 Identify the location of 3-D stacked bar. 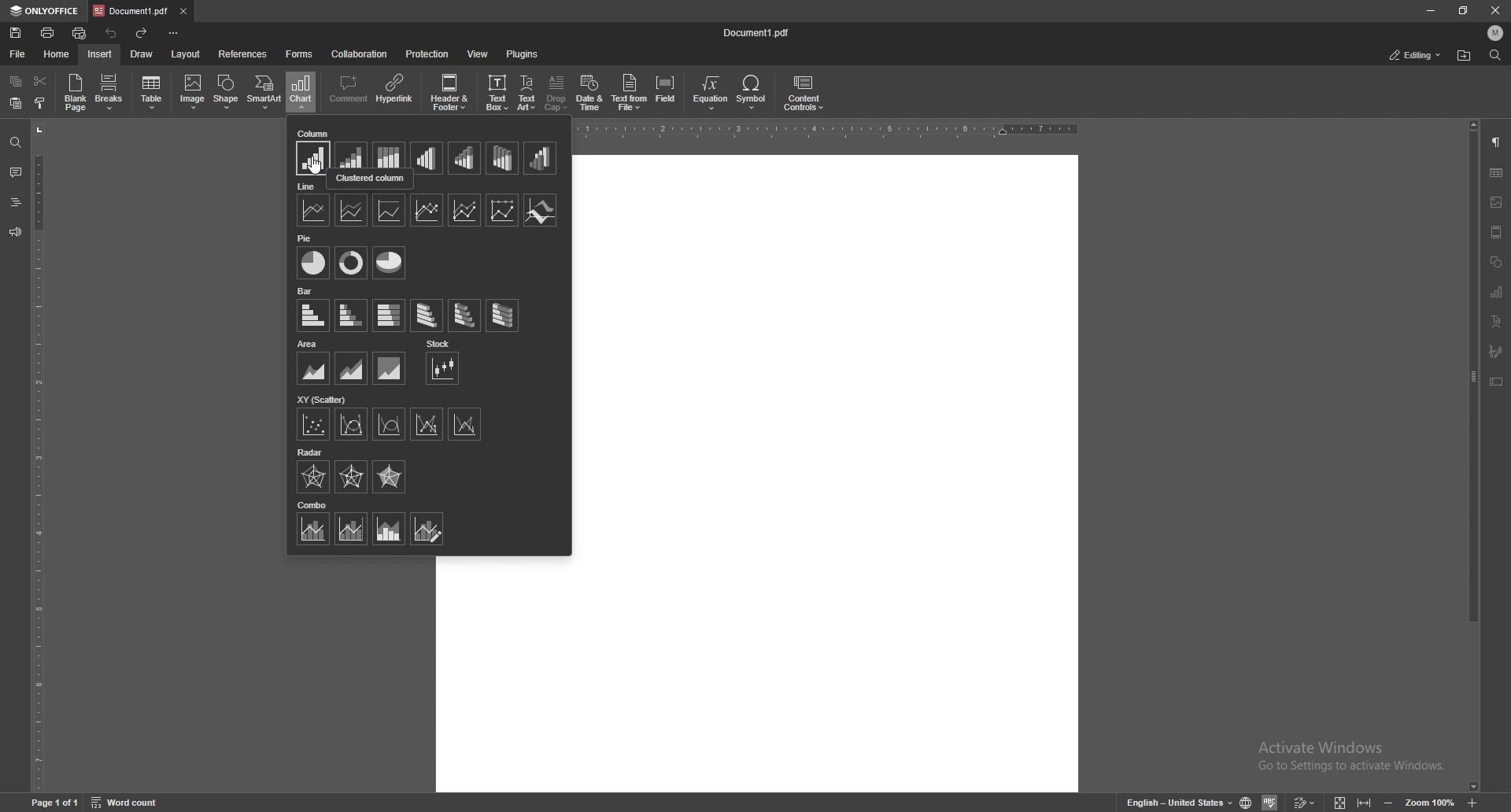
(464, 316).